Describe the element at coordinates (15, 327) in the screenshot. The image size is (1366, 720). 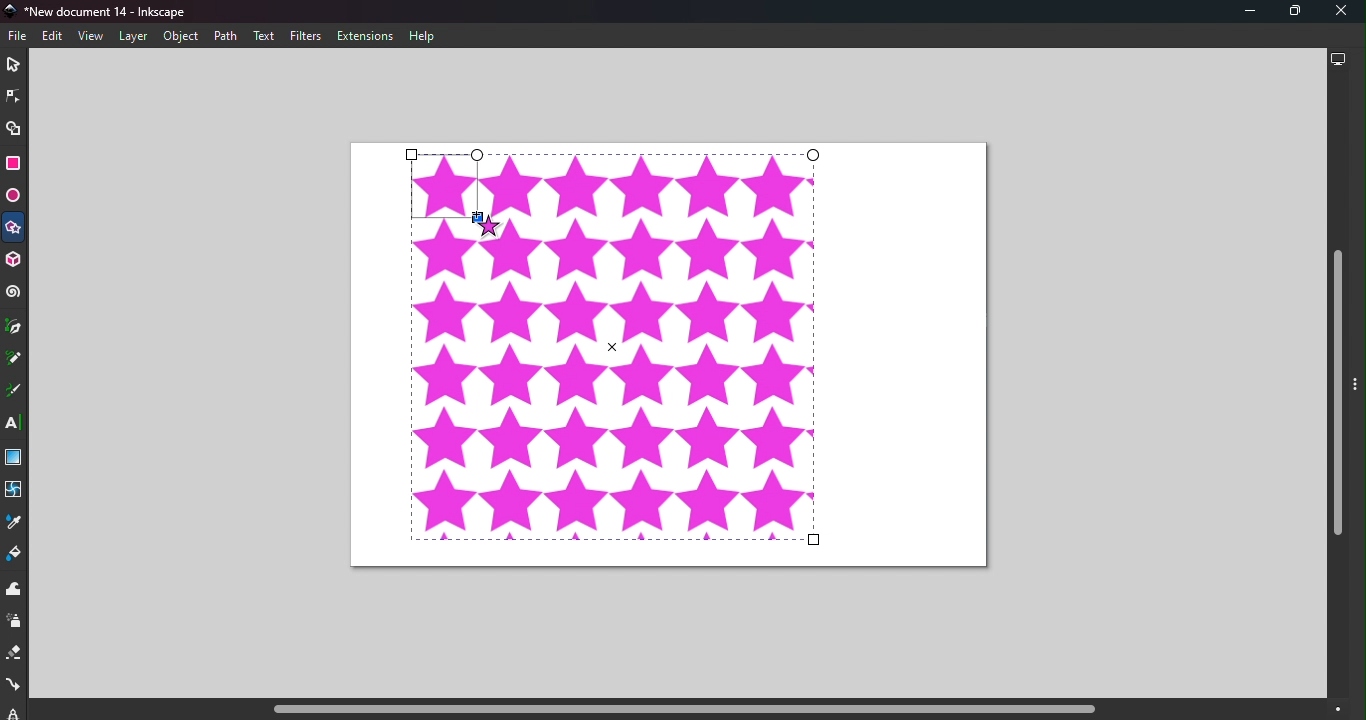
I see `Pen tool` at that location.